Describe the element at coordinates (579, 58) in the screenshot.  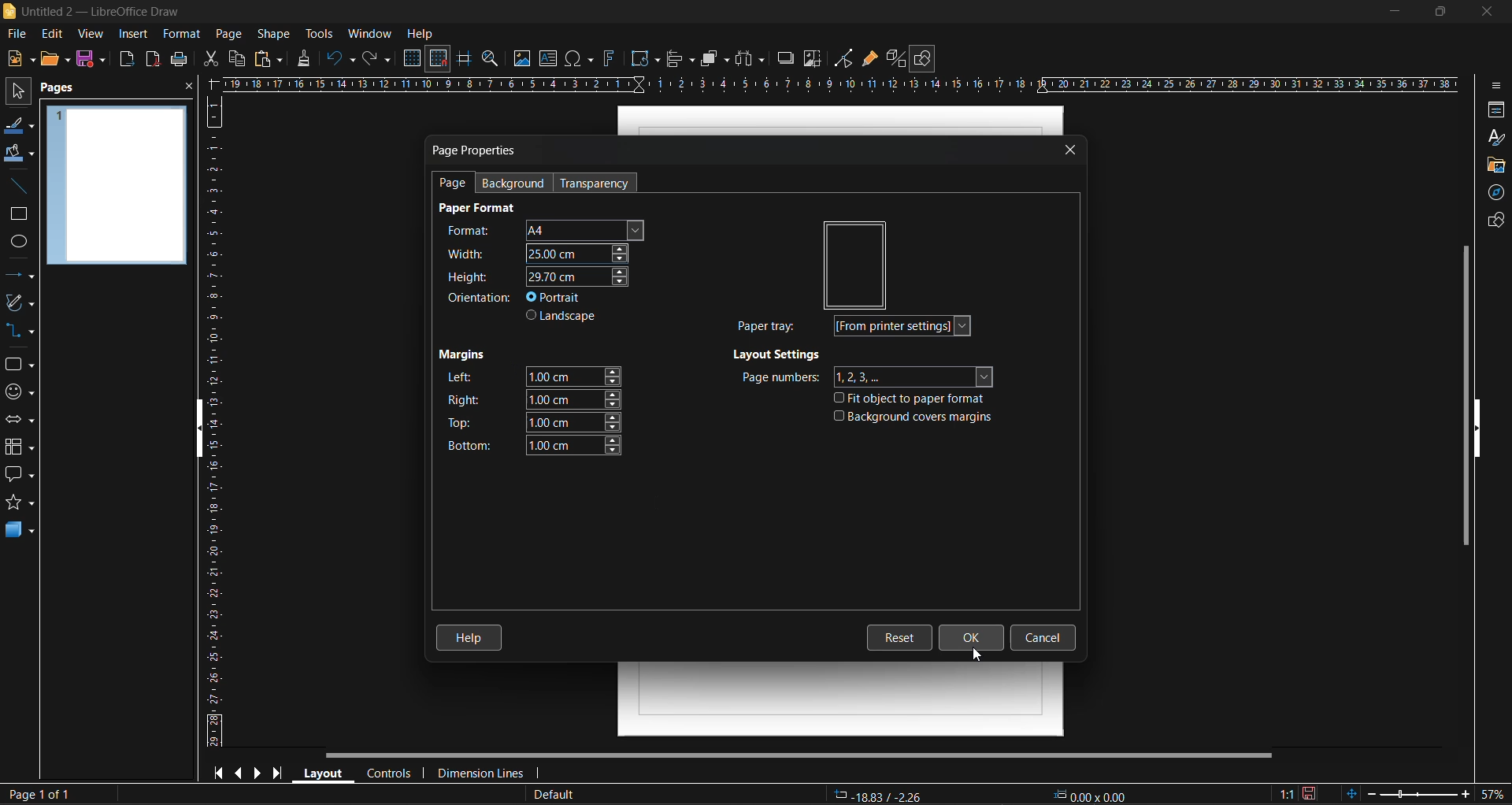
I see `special characters` at that location.